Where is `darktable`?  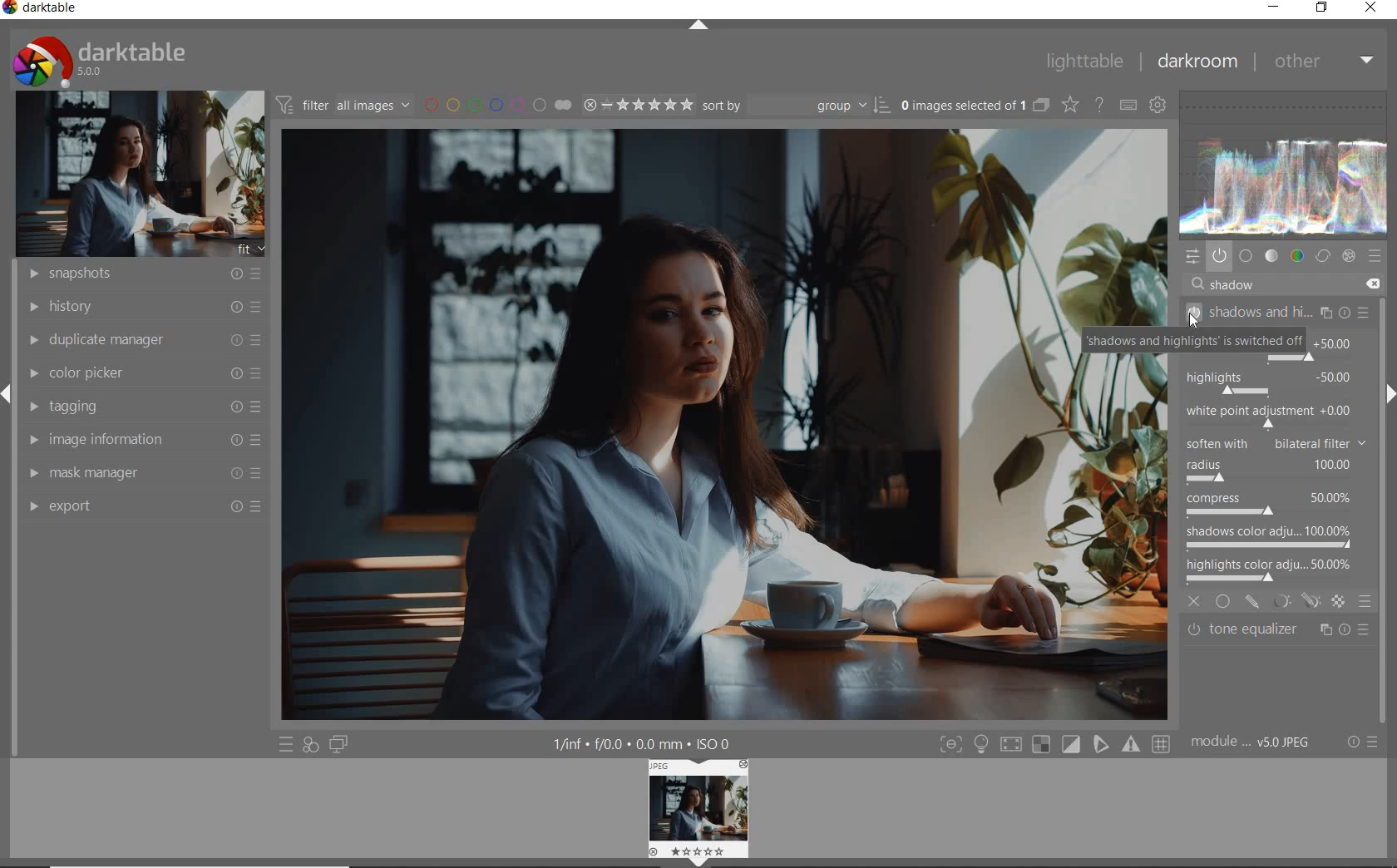 darktable is located at coordinates (47, 9).